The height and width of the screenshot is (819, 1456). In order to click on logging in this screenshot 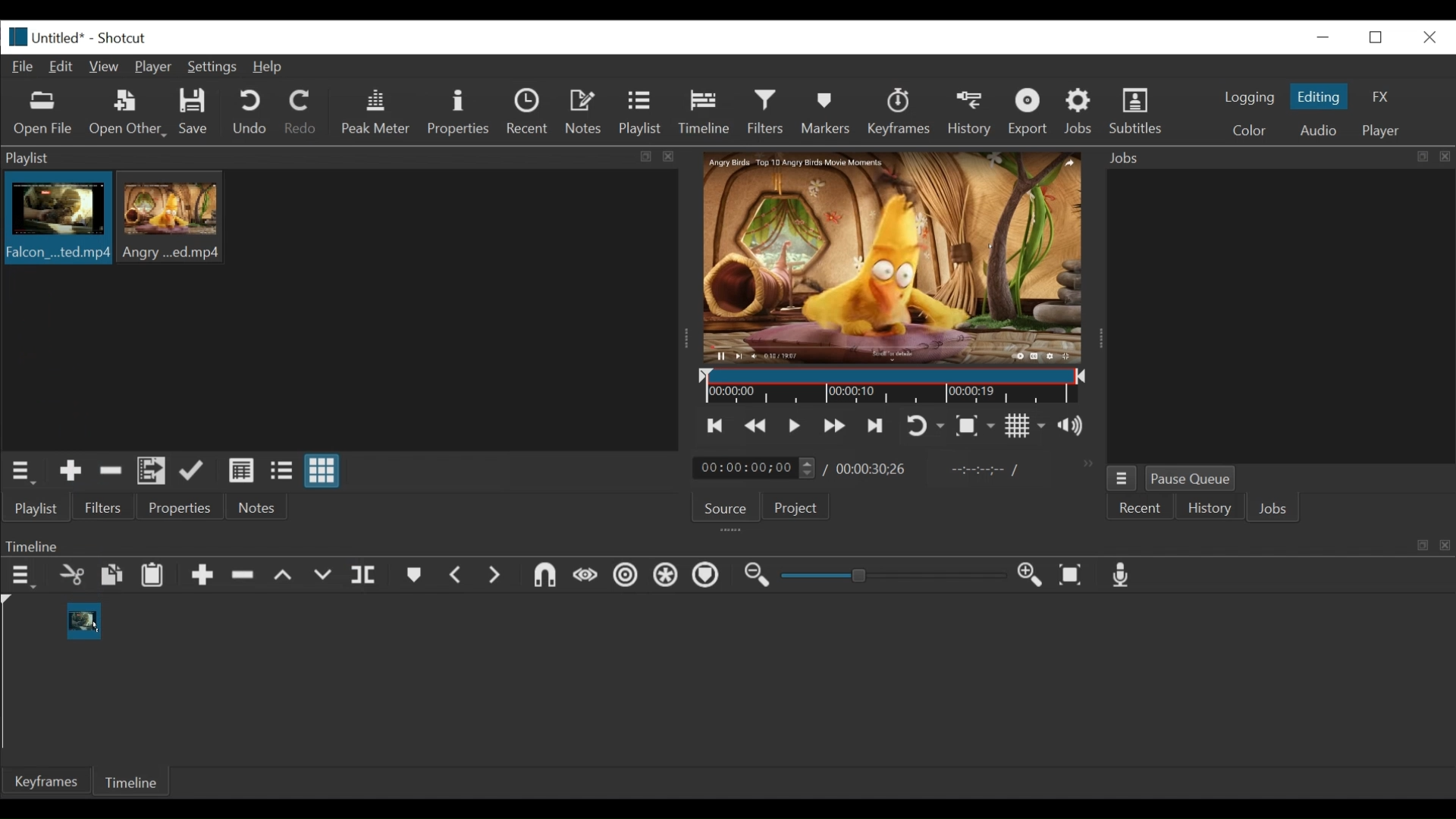, I will do `click(1248, 97)`.